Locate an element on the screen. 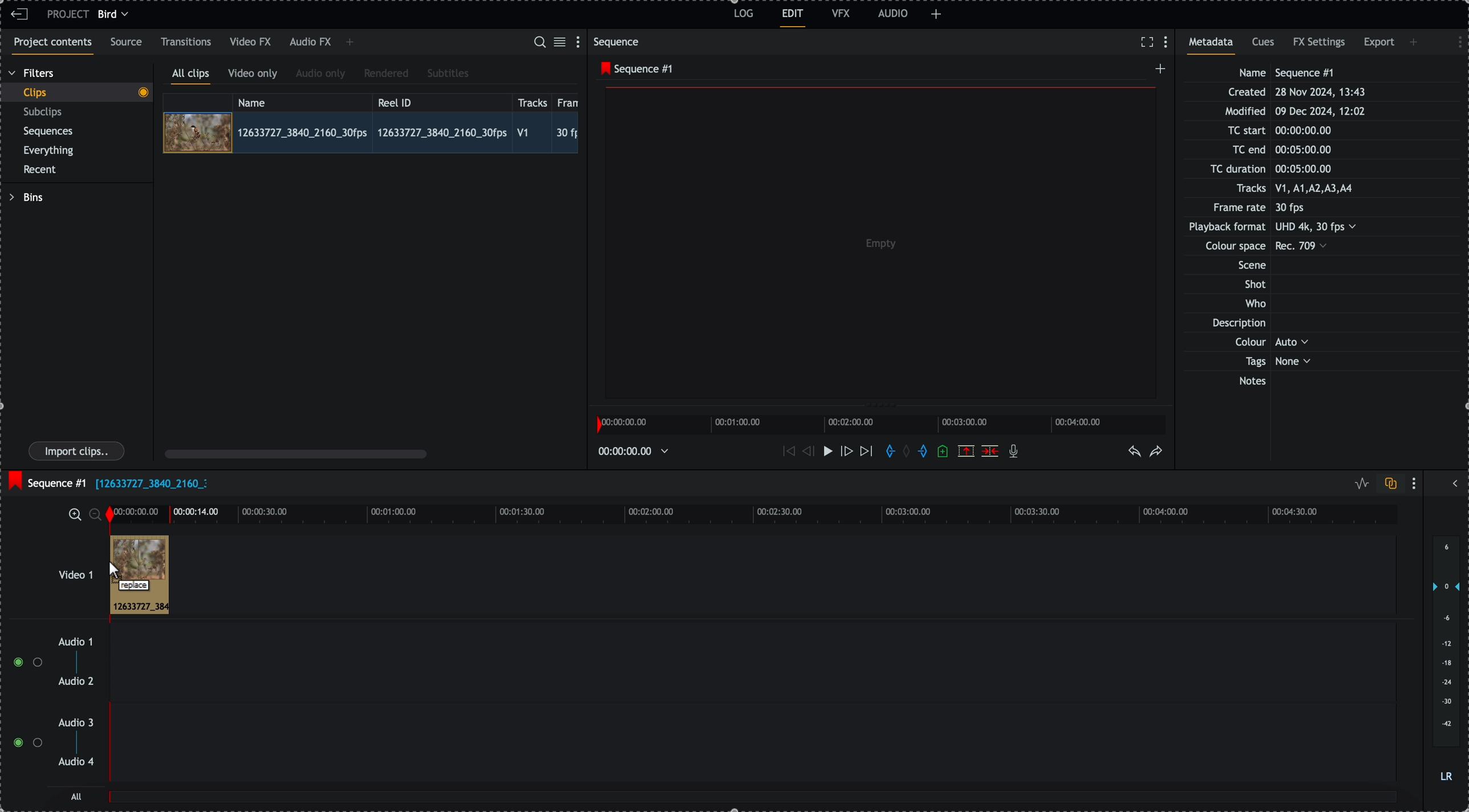  nudge one frame back is located at coordinates (805, 450).